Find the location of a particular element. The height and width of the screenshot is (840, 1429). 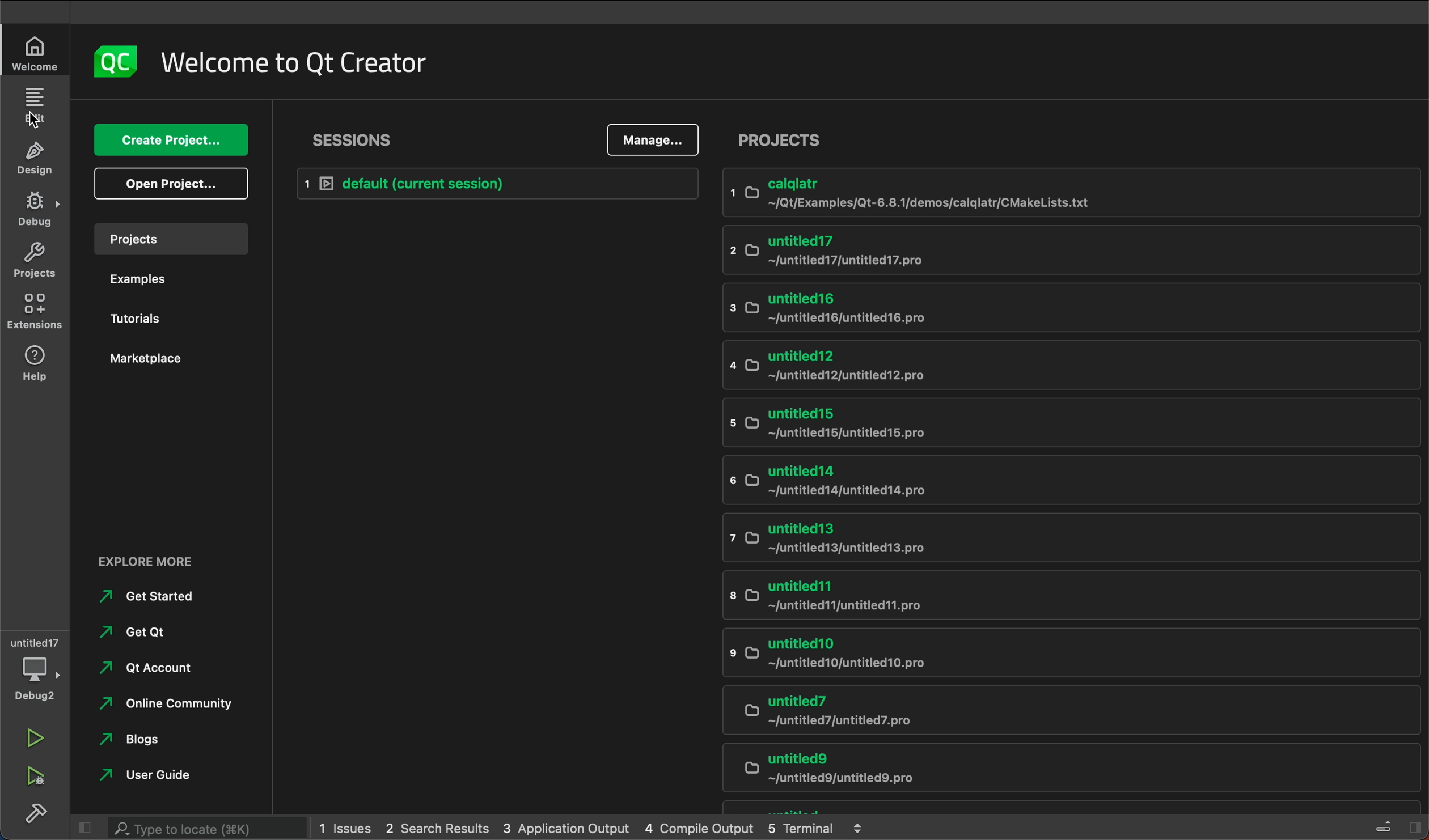

explore more is located at coordinates (176, 563).